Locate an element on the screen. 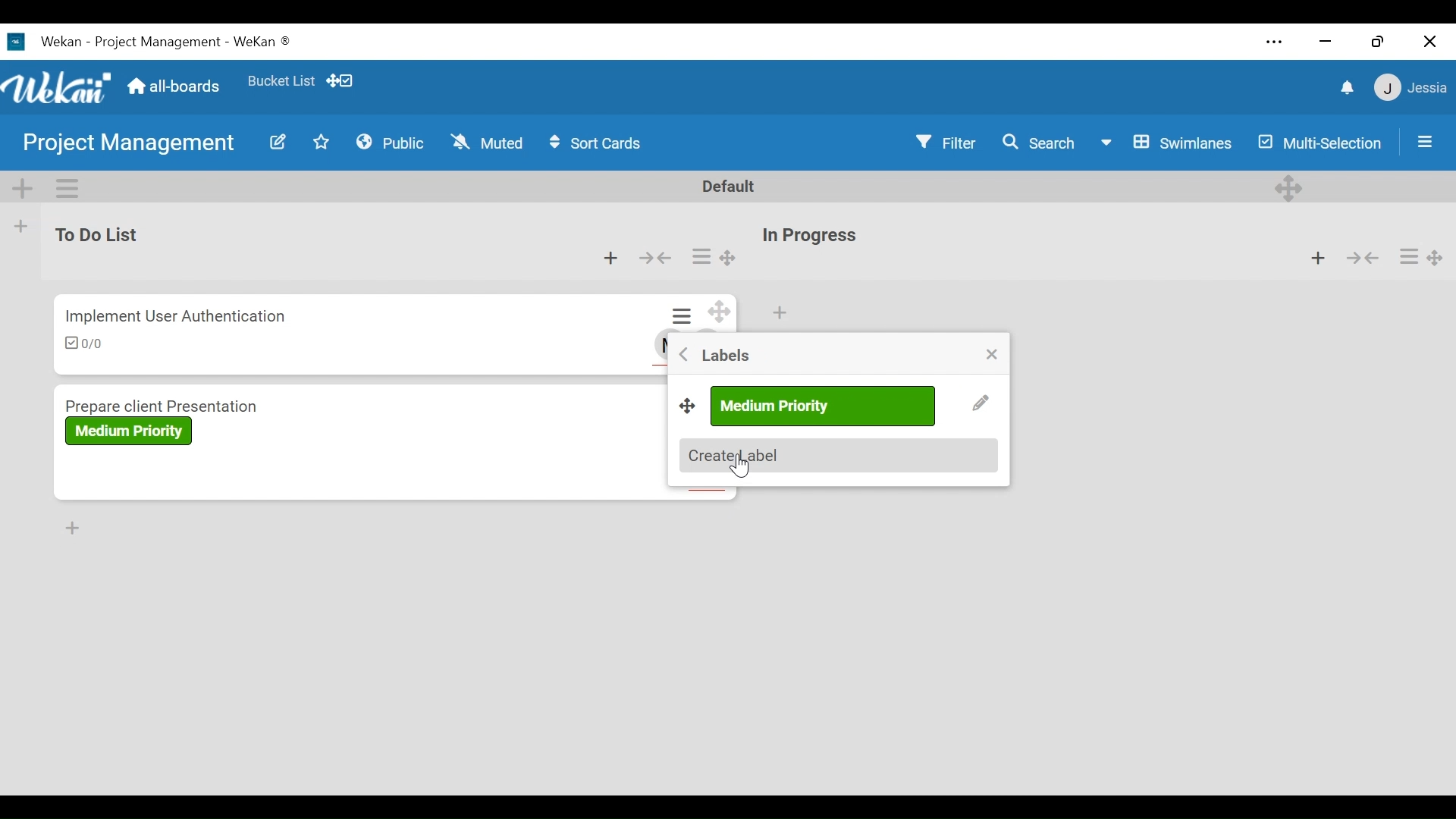 This screenshot has width=1456, height=819. label is located at coordinates (823, 406).